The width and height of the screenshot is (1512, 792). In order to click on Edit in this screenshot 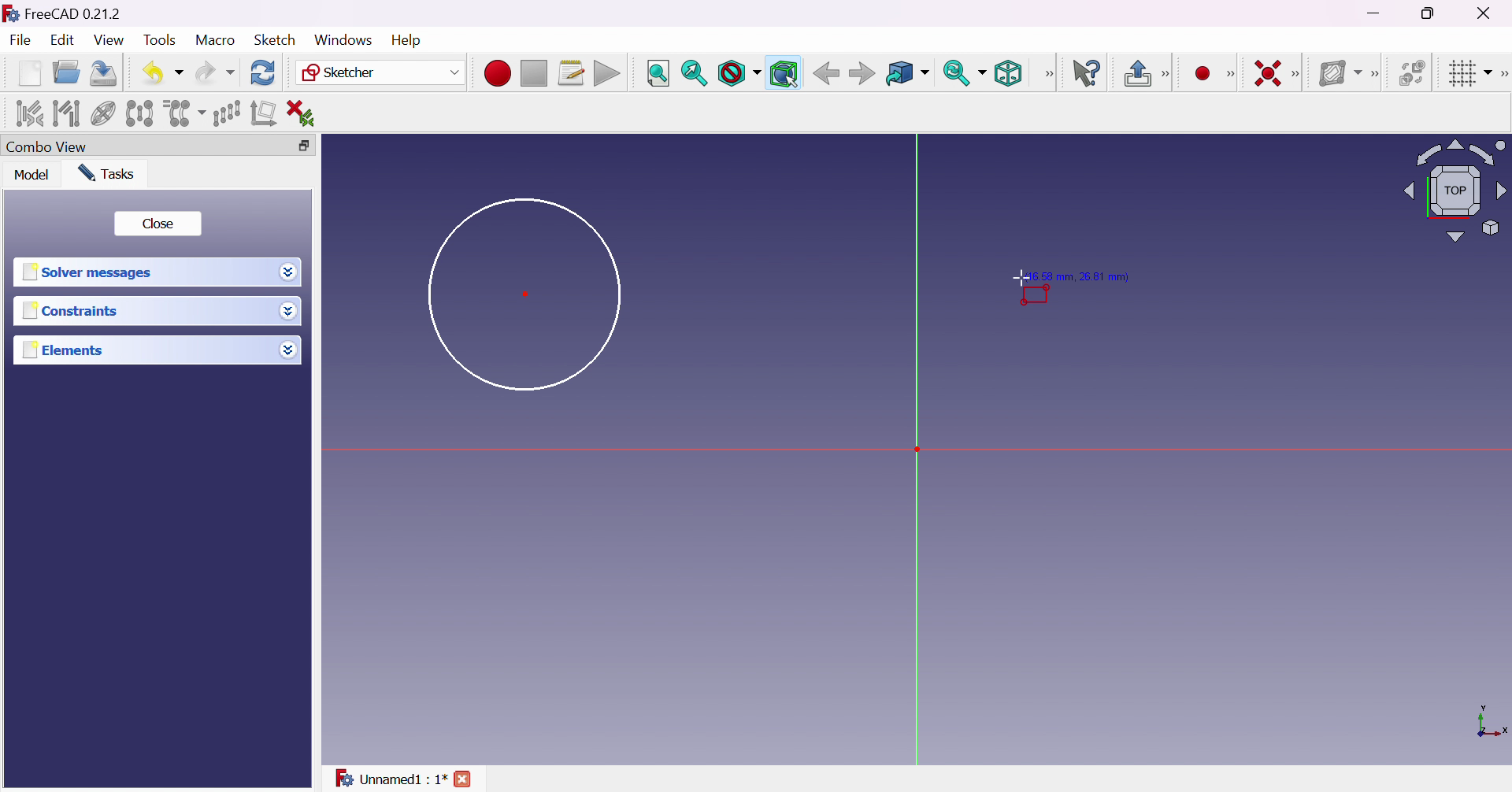, I will do `click(64, 42)`.